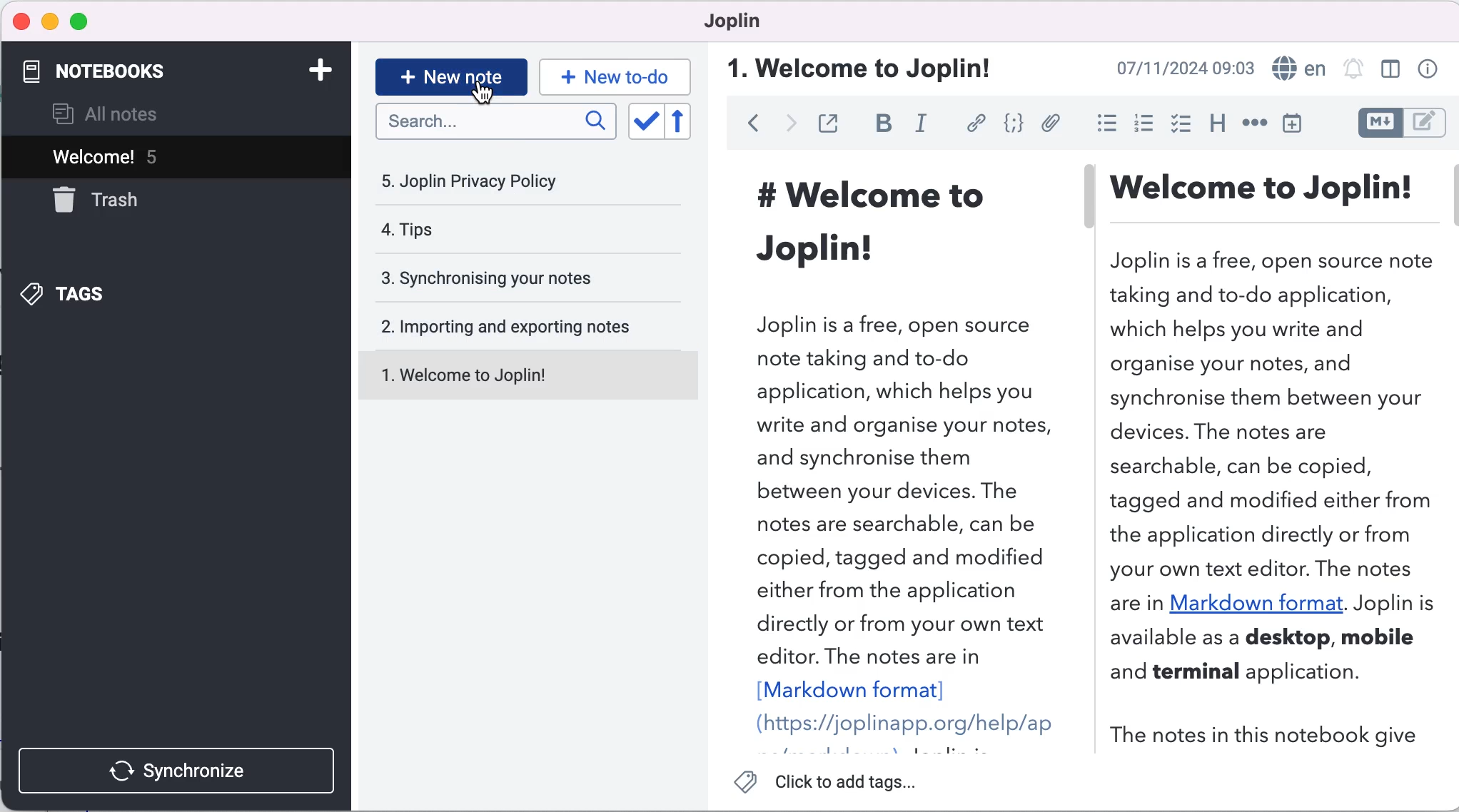 Image resolution: width=1459 pixels, height=812 pixels. I want to click on attach file, so click(1049, 125).